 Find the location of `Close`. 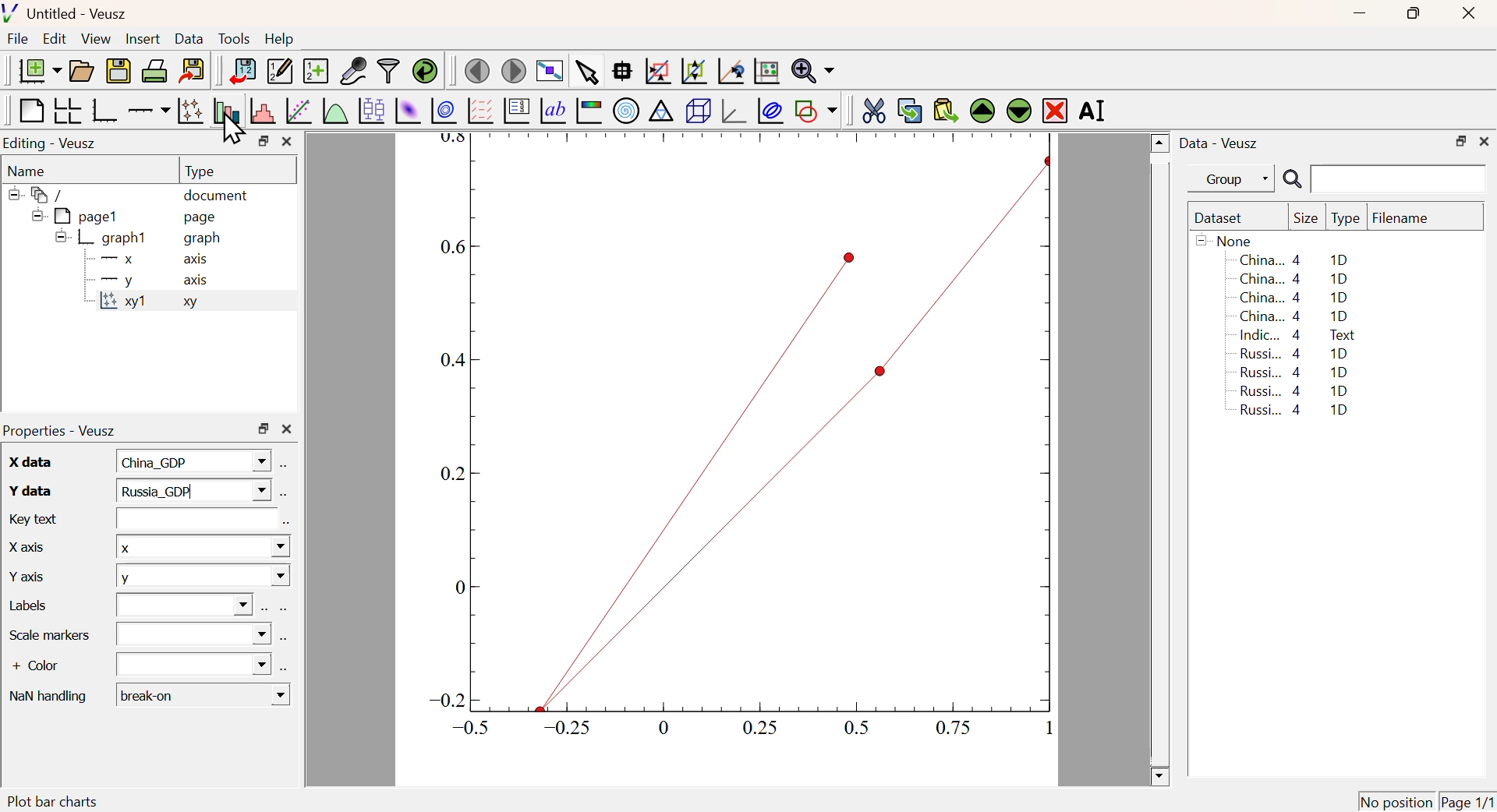

Close is located at coordinates (287, 430).